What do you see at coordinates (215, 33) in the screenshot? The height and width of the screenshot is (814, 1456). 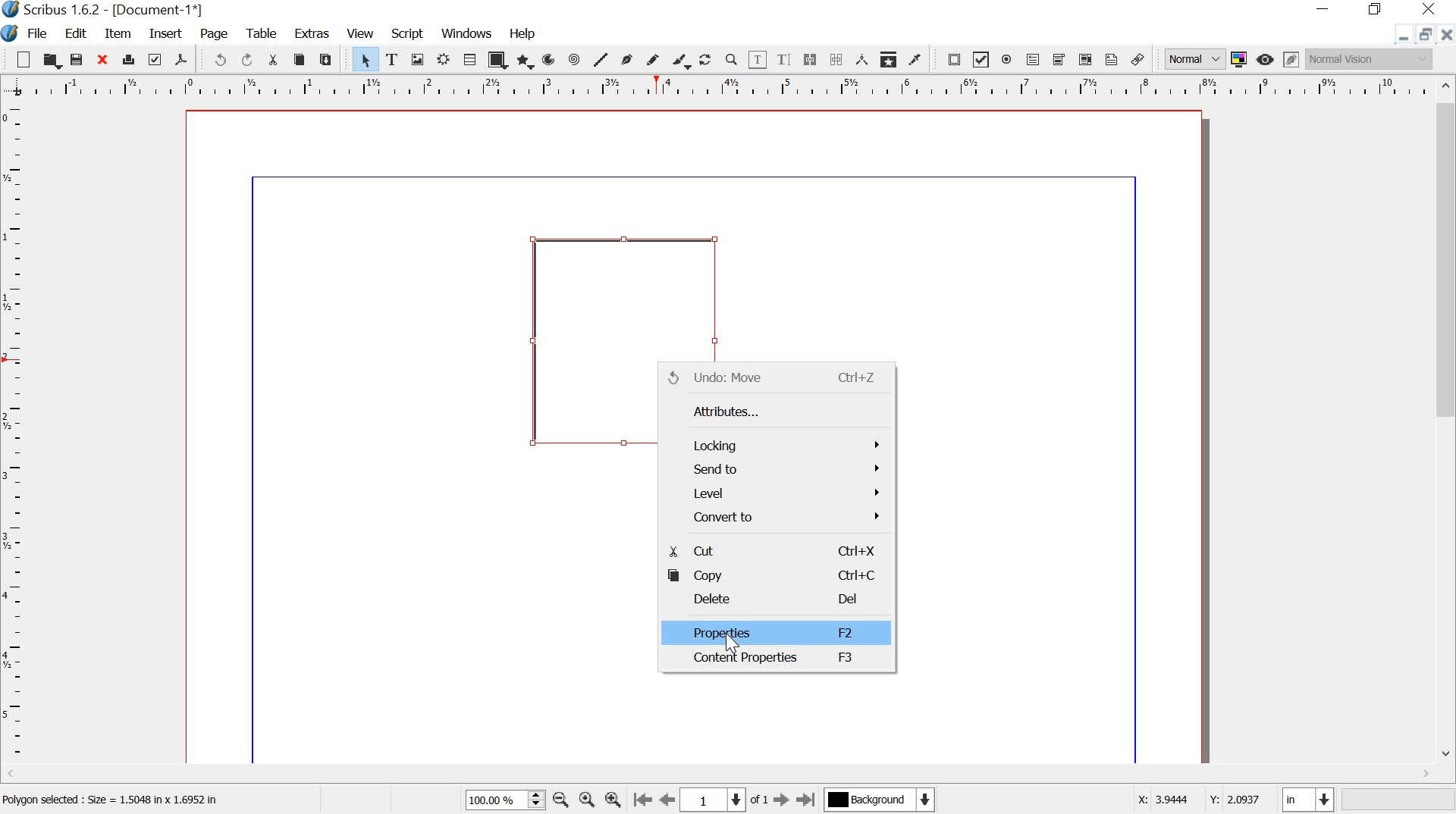 I see `page` at bounding box center [215, 33].